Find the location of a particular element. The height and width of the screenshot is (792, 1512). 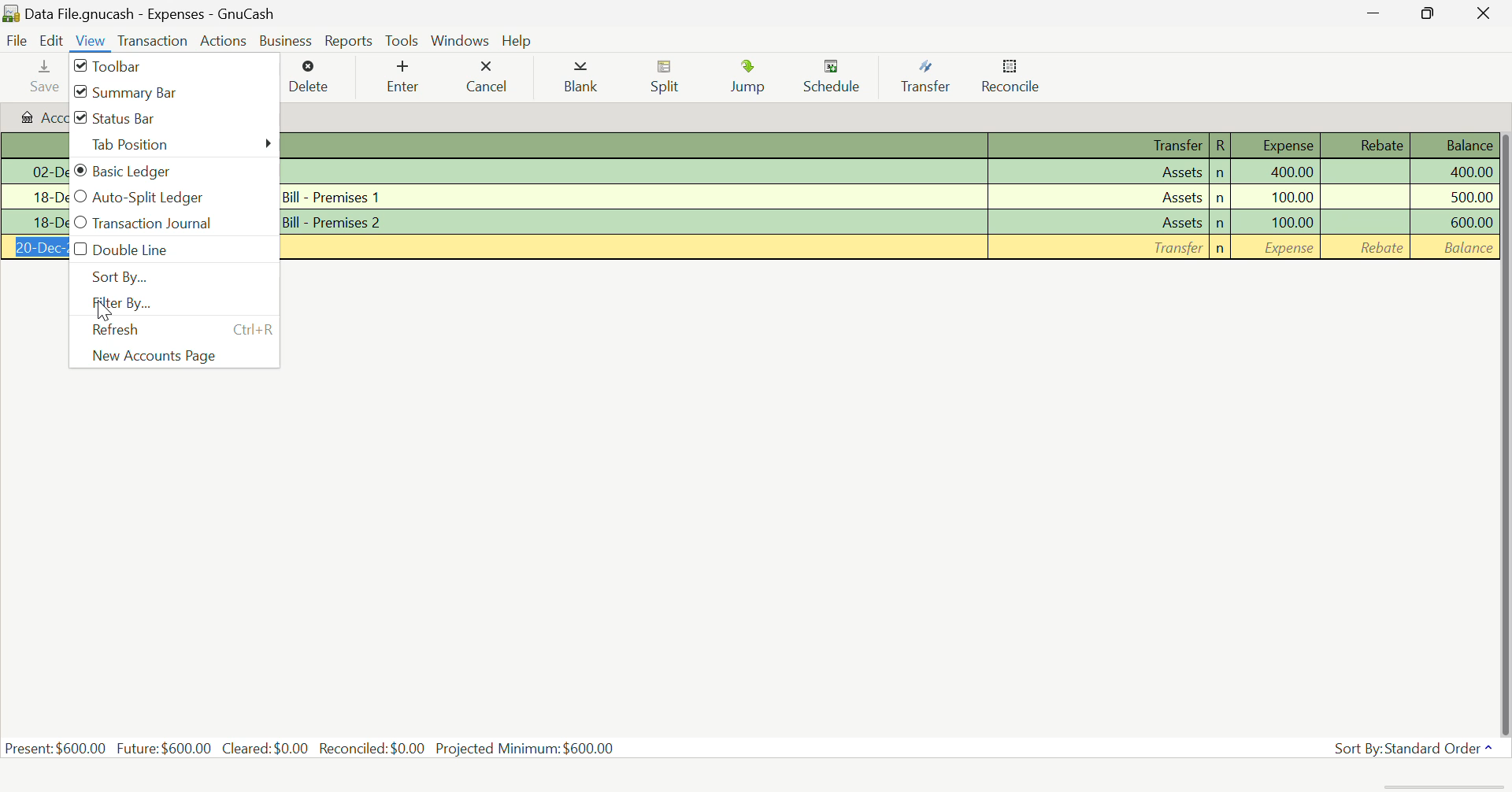

Amount is located at coordinates (1452, 172).